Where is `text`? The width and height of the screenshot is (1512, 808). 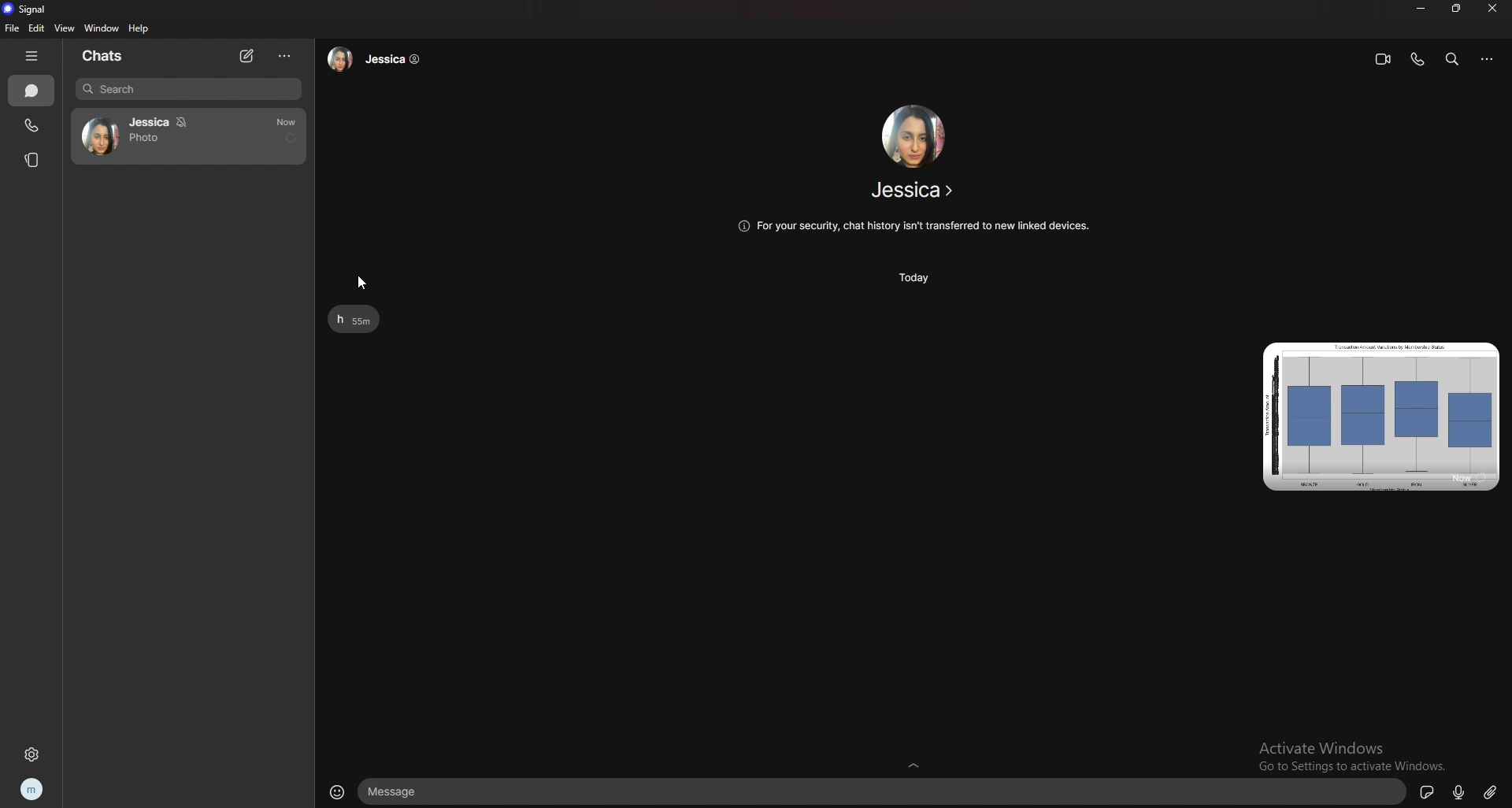 text is located at coordinates (355, 320).